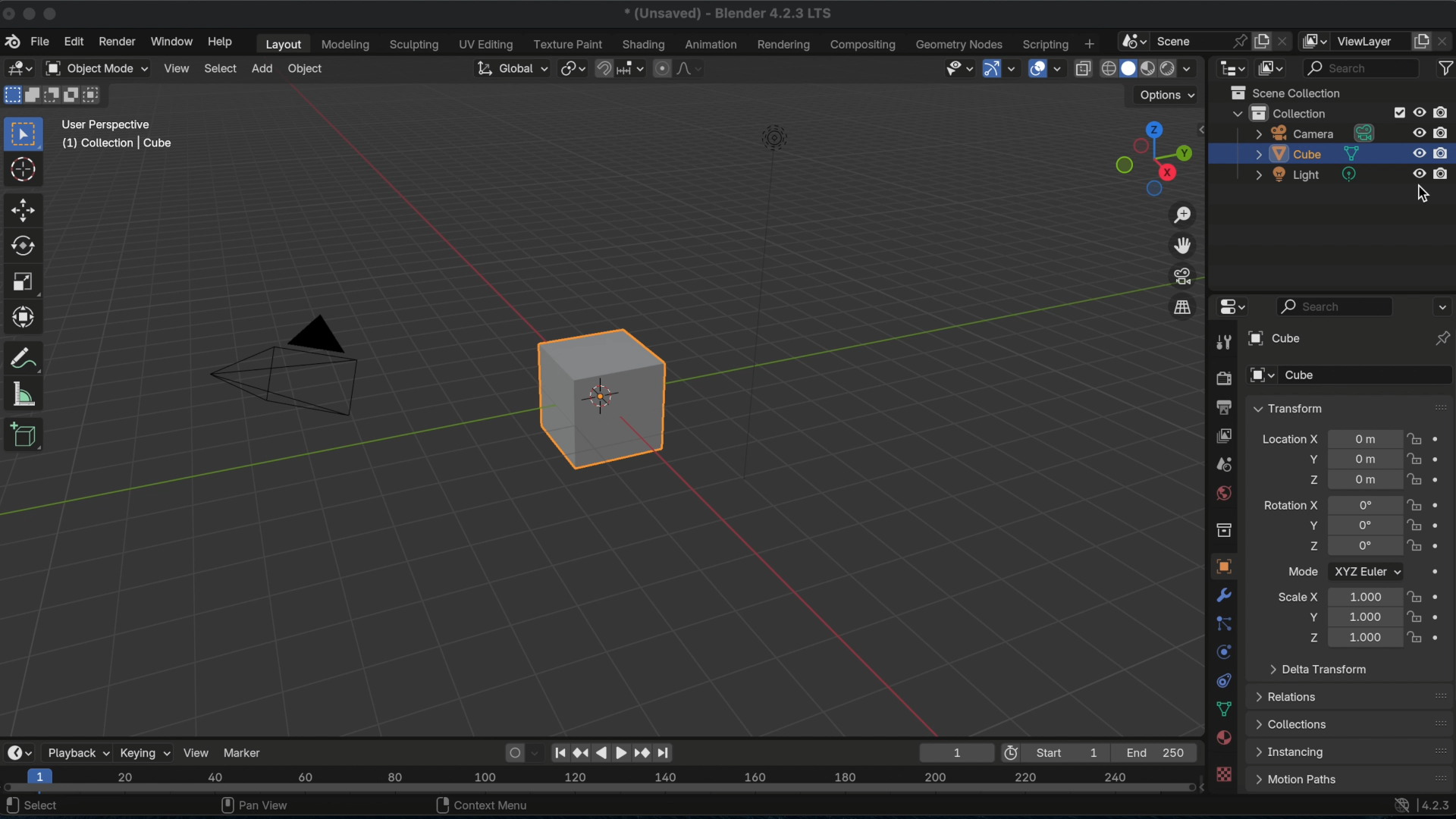  I want to click on jump to end, so click(661, 753).